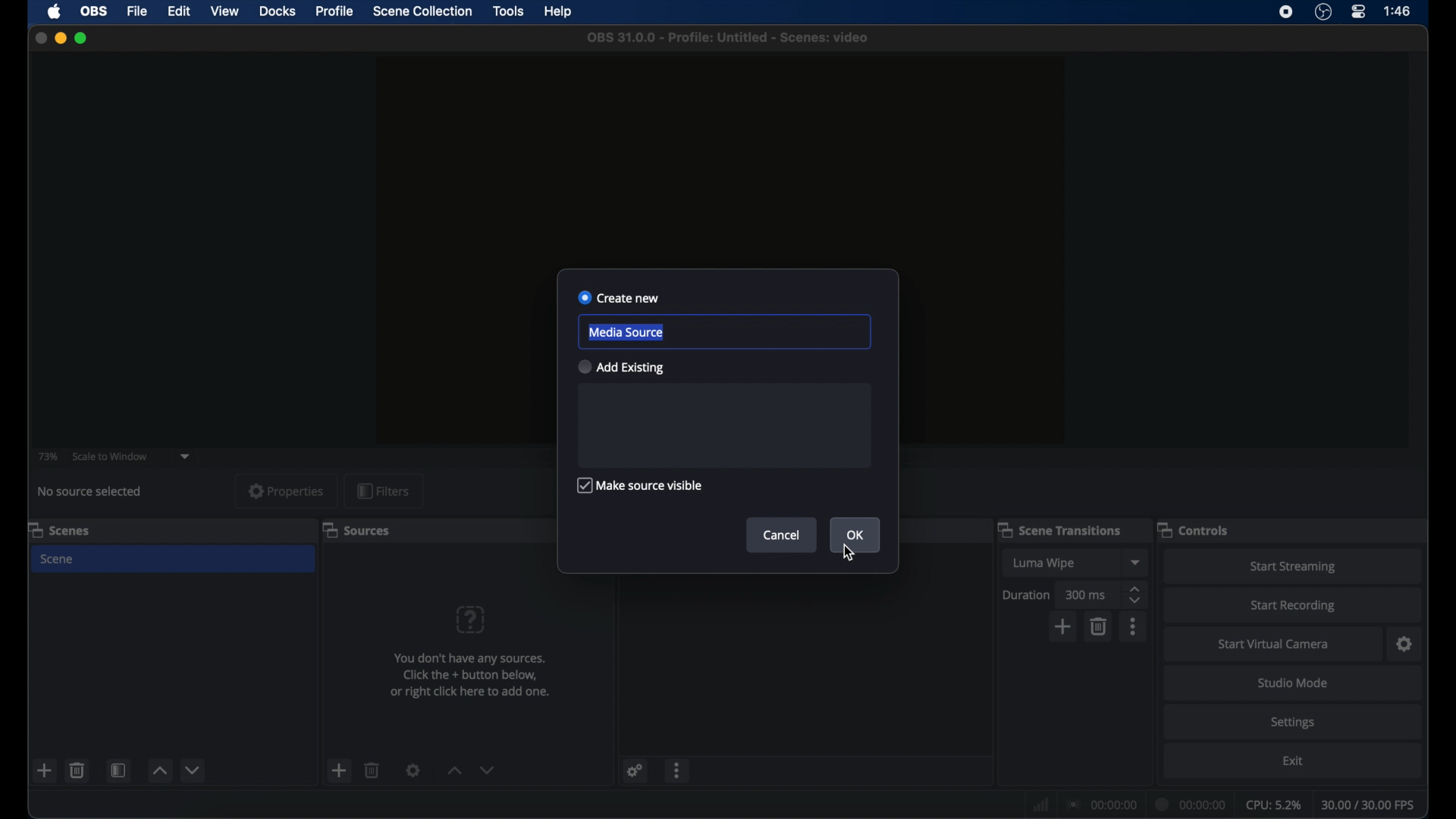 The width and height of the screenshot is (1456, 819). I want to click on maximize, so click(82, 38).